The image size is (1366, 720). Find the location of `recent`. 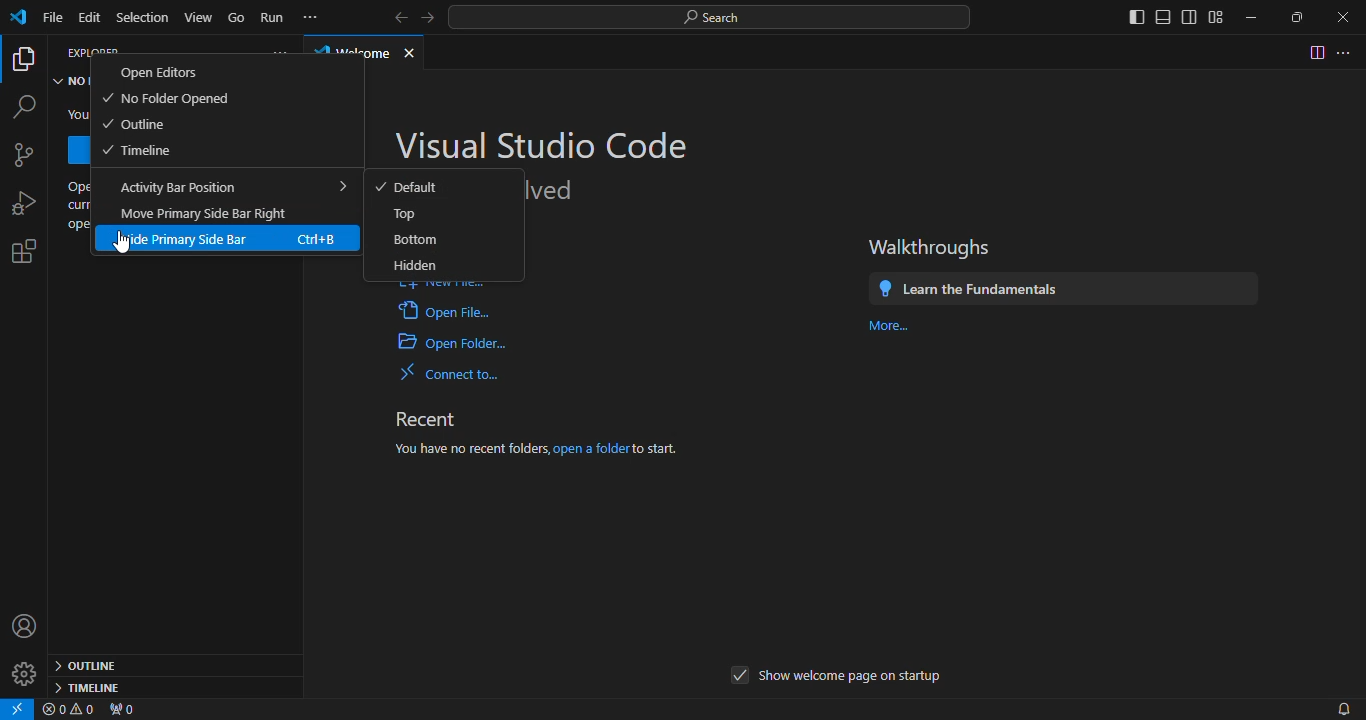

recent is located at coordinates (433, 415).